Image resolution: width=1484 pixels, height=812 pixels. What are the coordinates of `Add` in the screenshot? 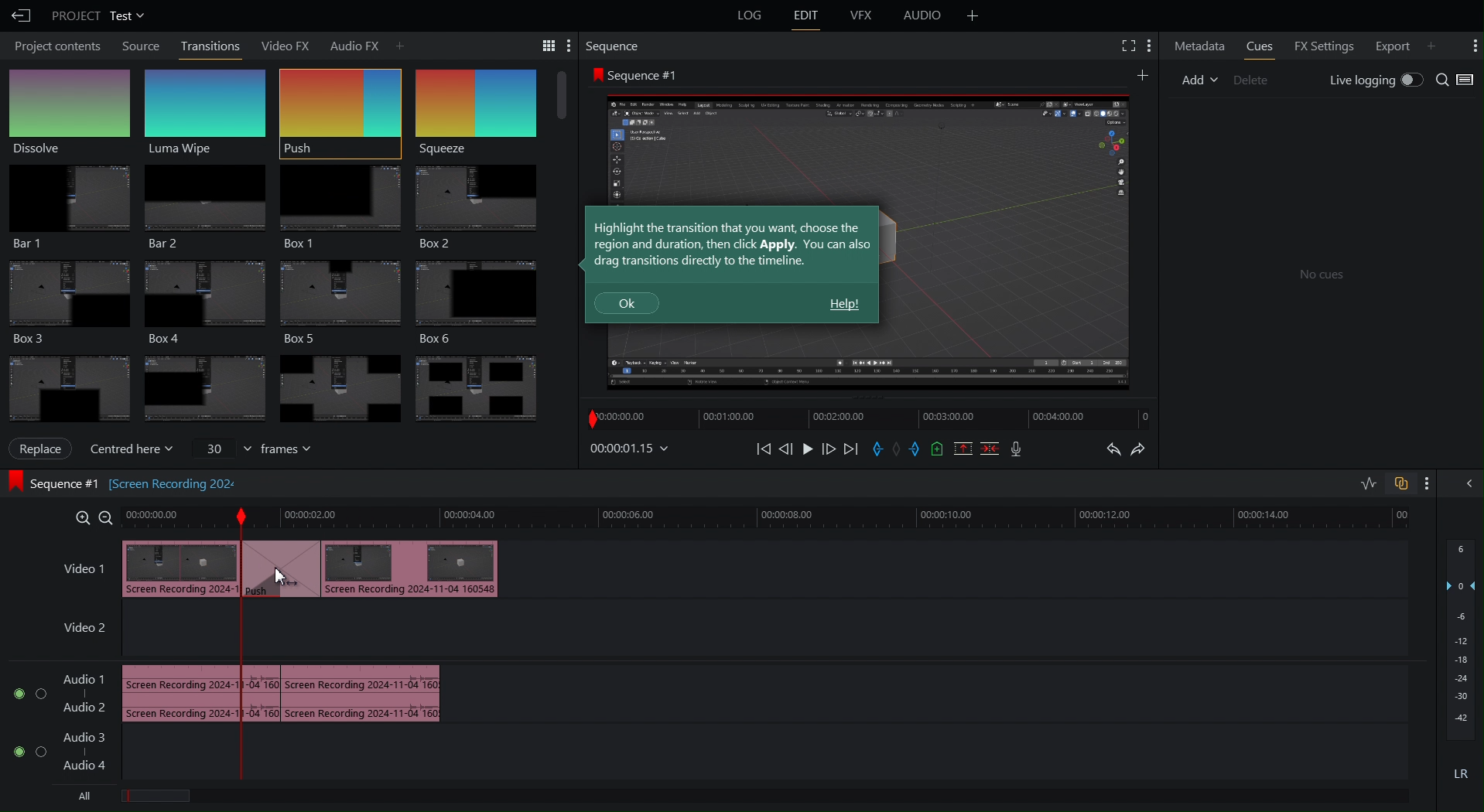 It's located at (398, 44).